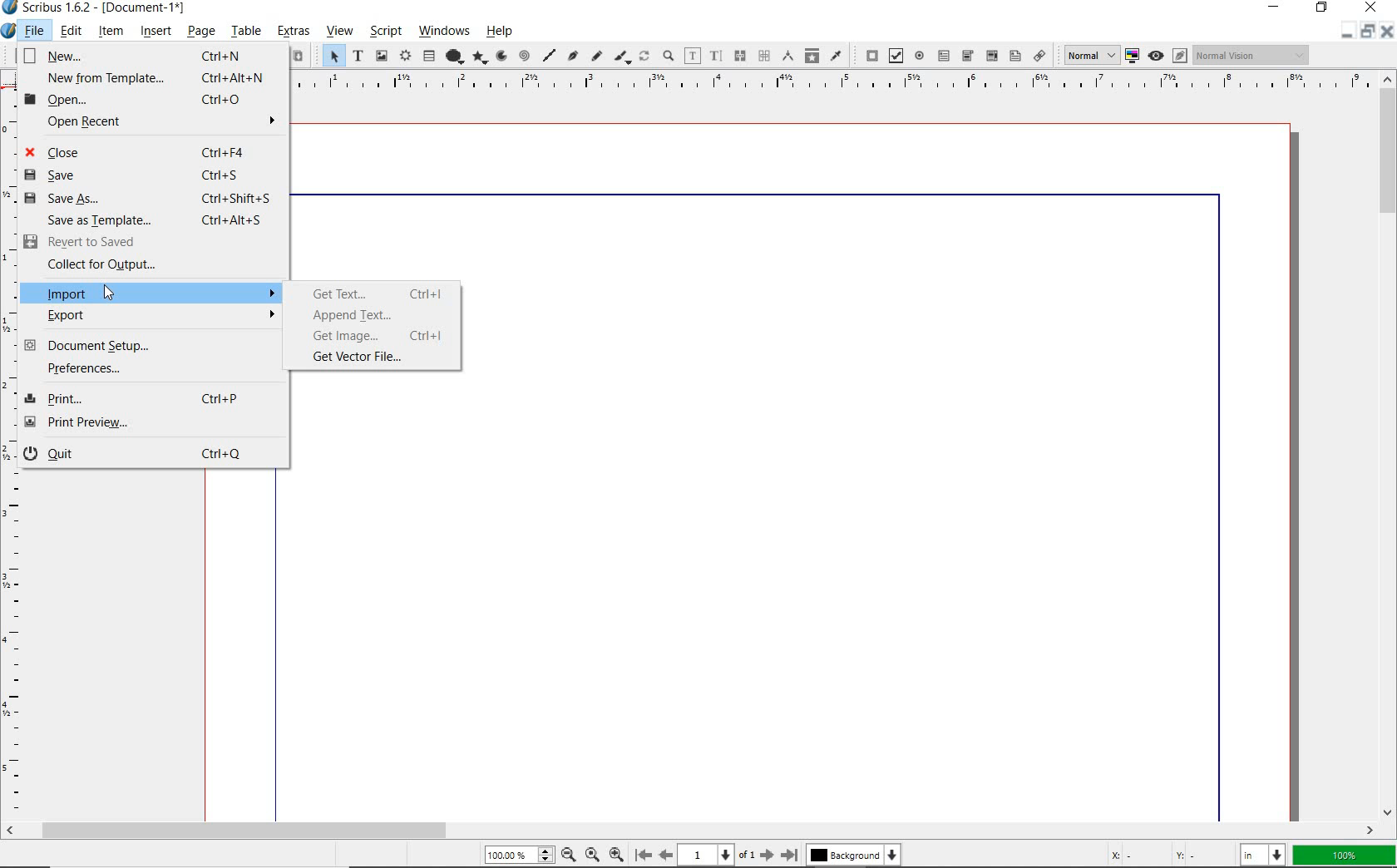 This screenshot has height=868, width=1397. Describe the element at coordinates (297, 55) in the screenshot. I see `paste` at that location.